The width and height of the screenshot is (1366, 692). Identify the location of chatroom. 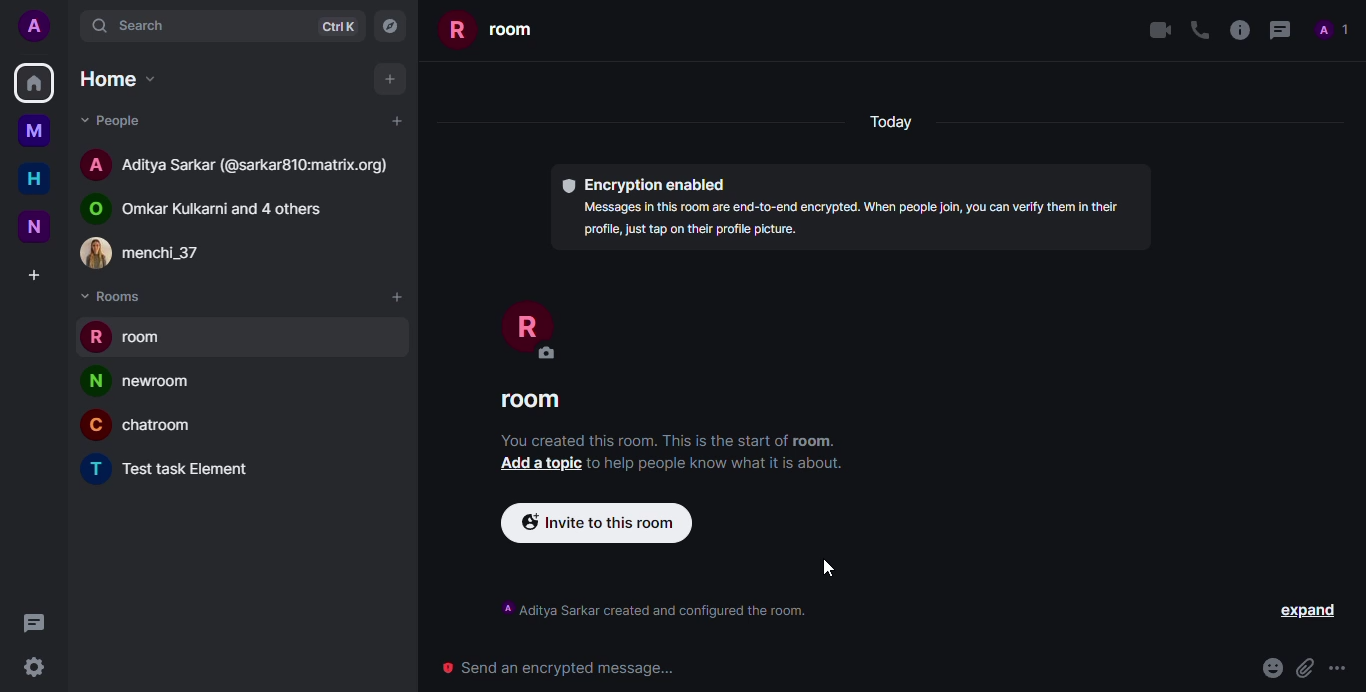
(175, 427).